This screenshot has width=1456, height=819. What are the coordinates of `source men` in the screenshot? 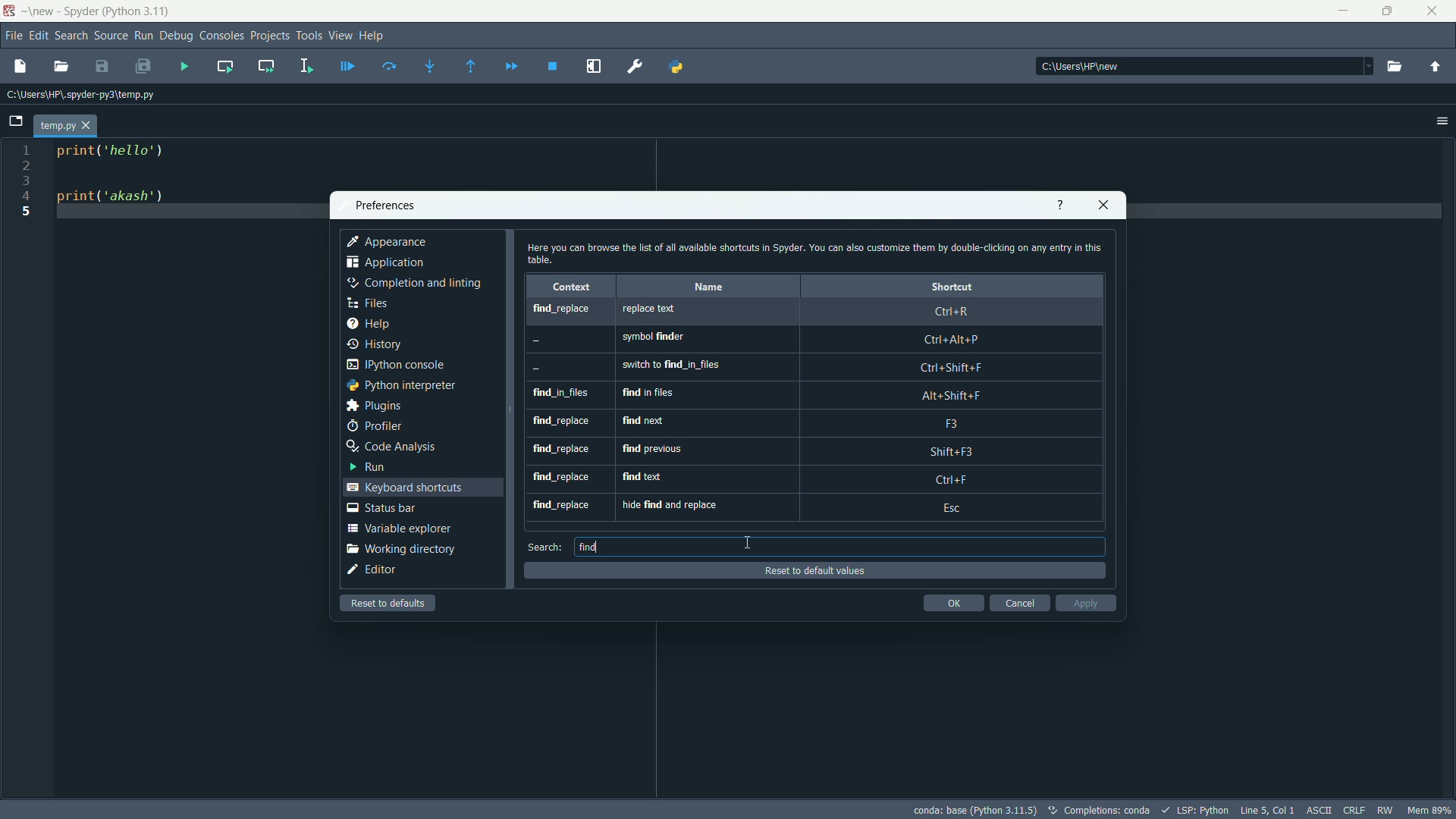 It's located at (109, 34).